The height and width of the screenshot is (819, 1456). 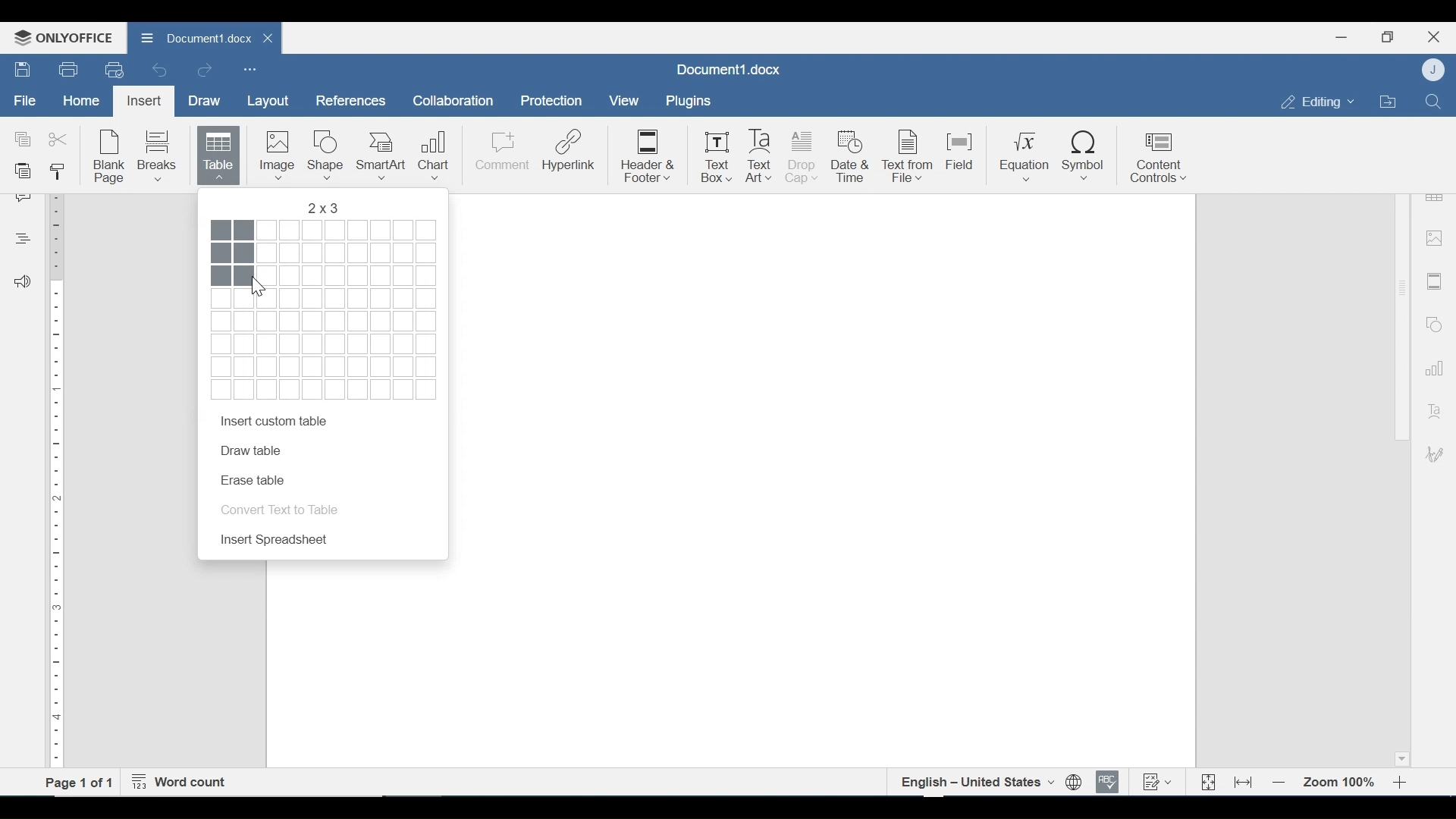 I want to click on Draw, so click(x=204, y=101).